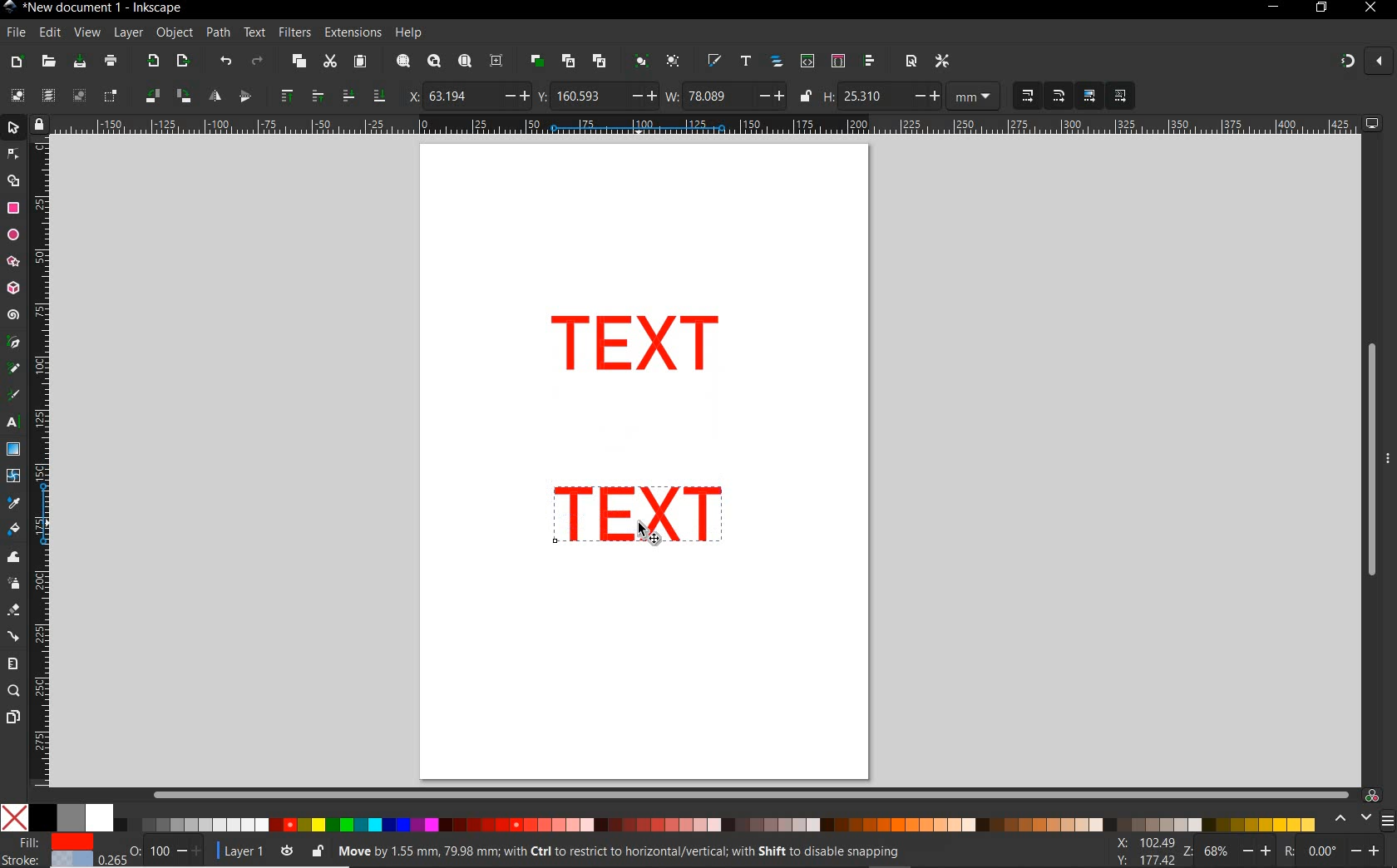  Describe the element at coordinates (228, 96) in the screenshot. I see `object flip` at that location.